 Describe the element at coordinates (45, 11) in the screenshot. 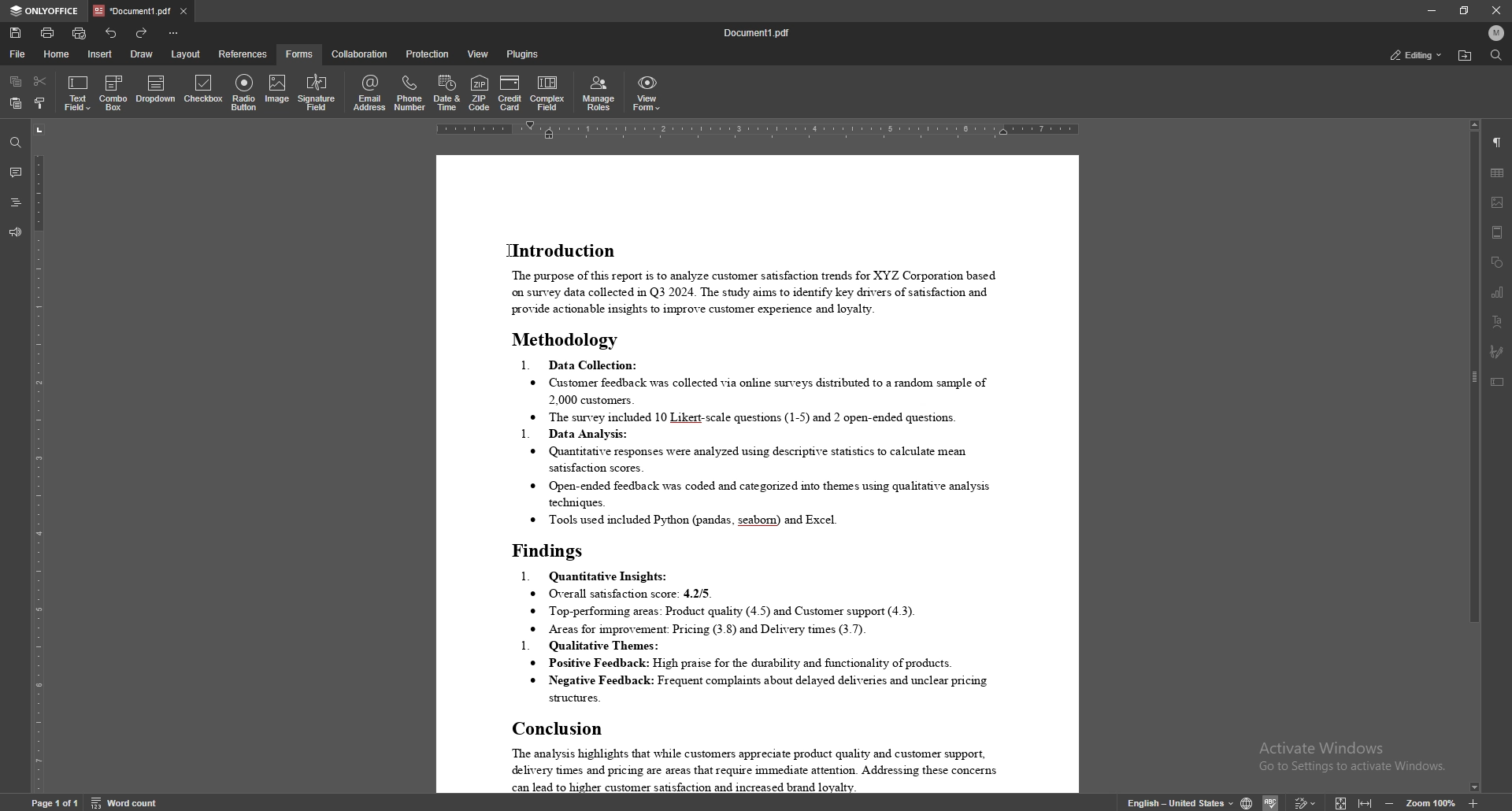

I see `onlyoffice` at that location.